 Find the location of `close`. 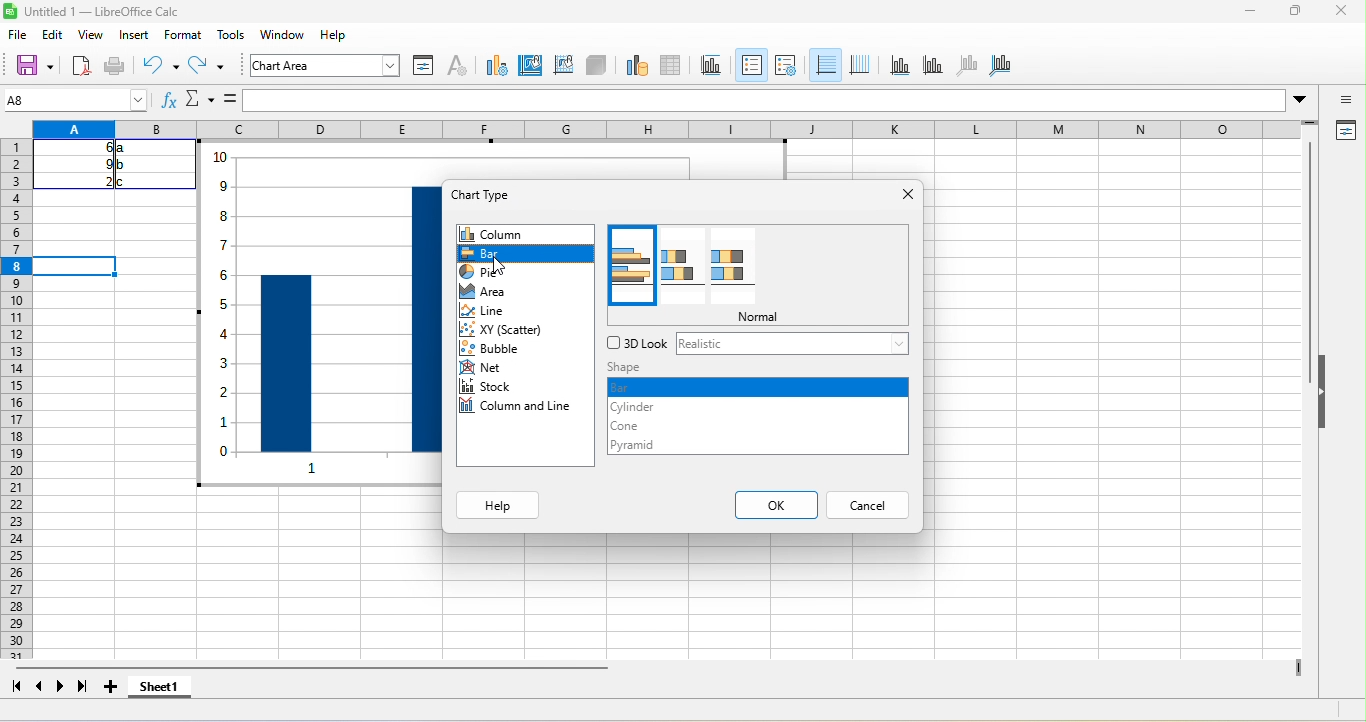

close is located at coordinates (1337, 12).